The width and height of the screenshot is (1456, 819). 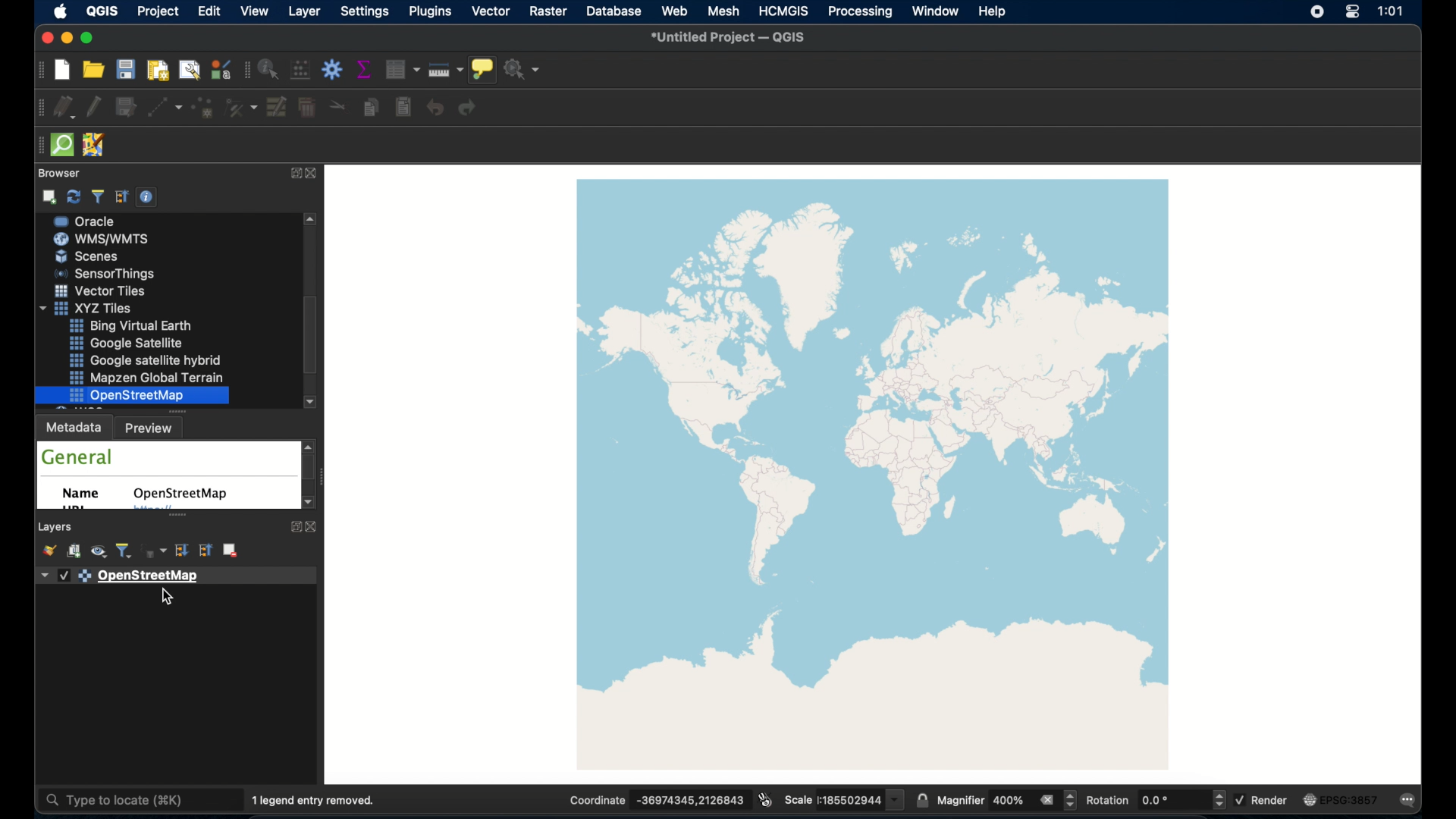 What do you see at coordinates (1006, 800) in the screenshot?
I see `magnifier` at bounding box center [1006, 800].